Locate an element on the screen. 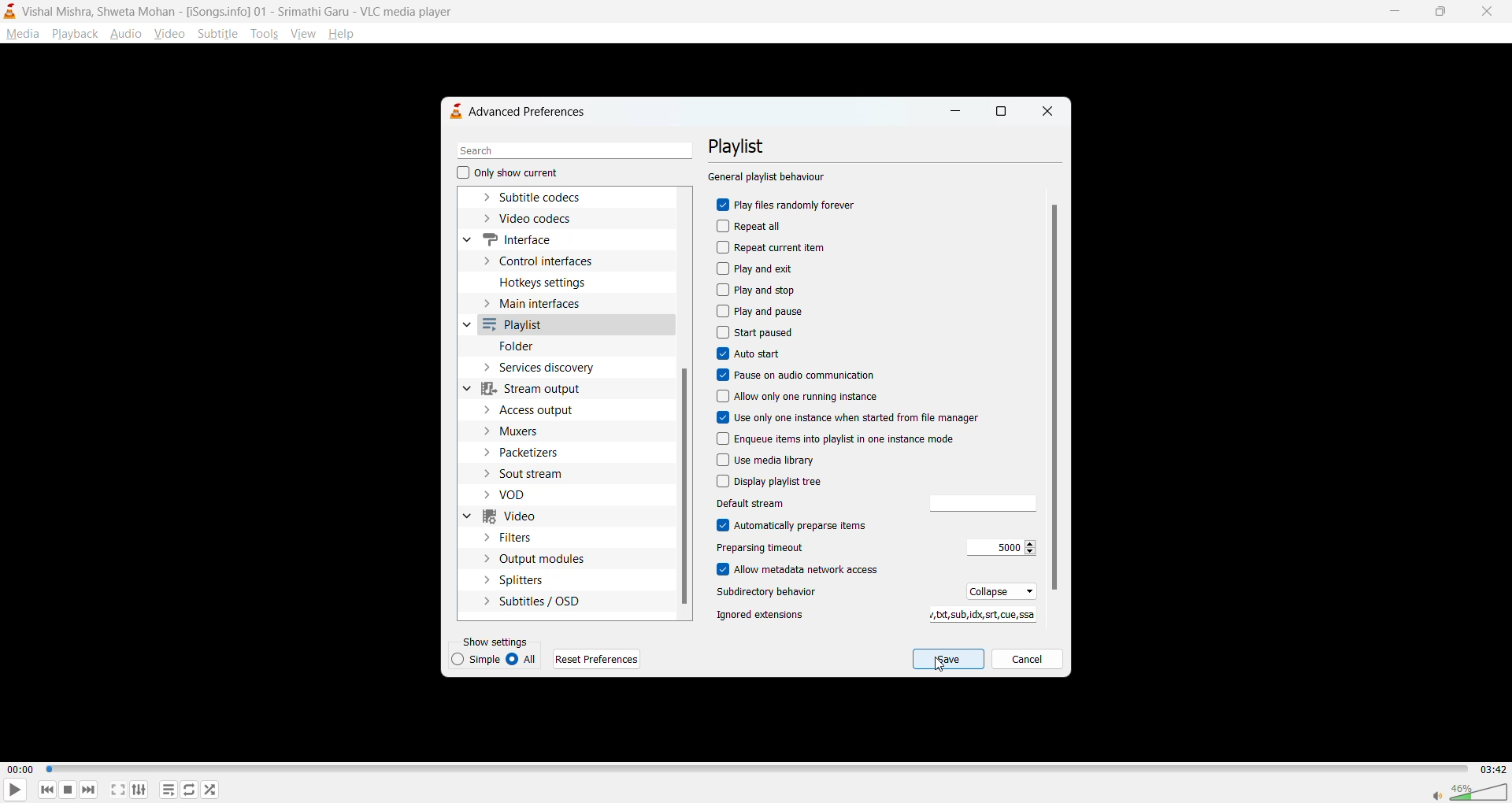 The image size is (1512, 803). repeat current time is located at coordinates (776, 247).